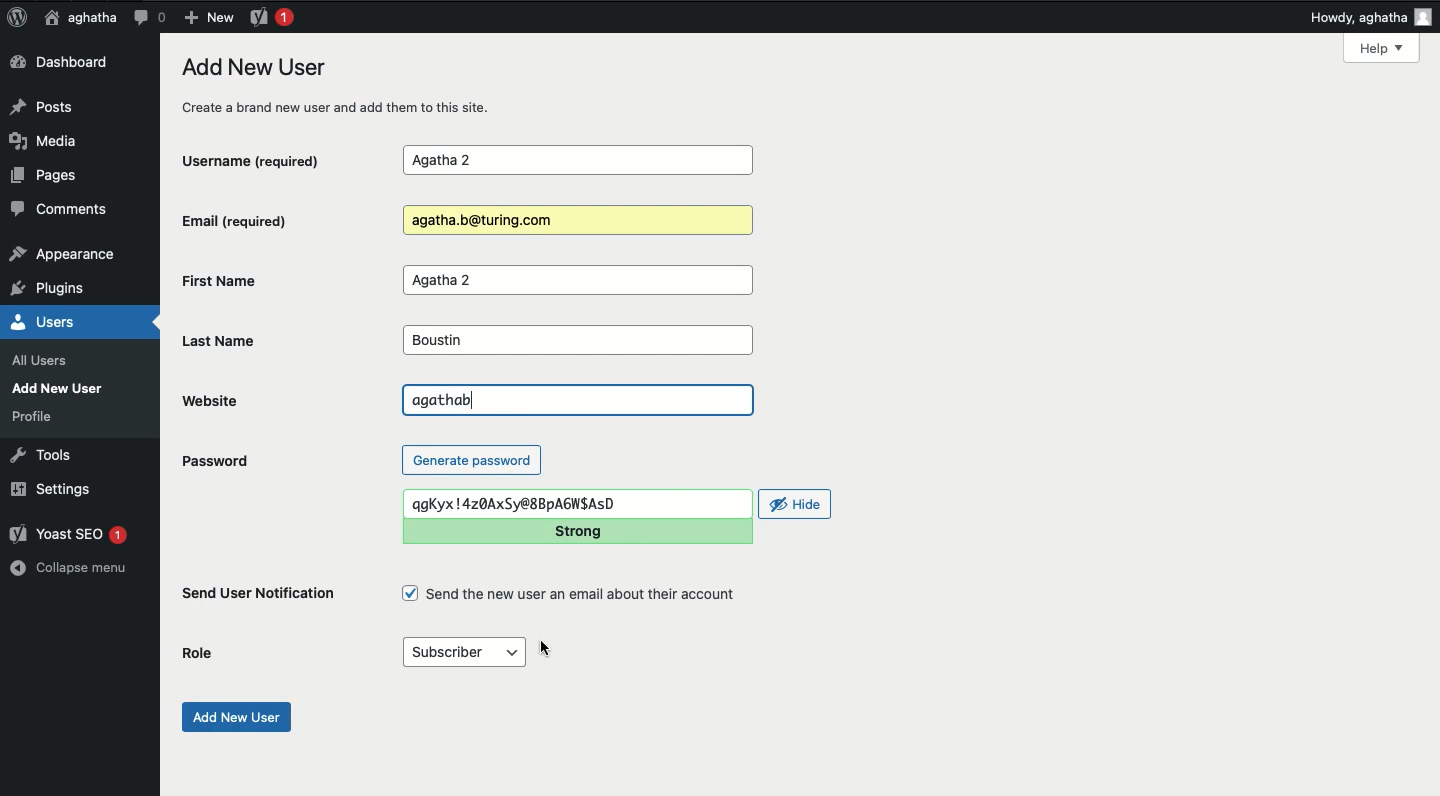 The image size is (1440, 796). Describe the element at coordinates (45, 361) in the screenshot. I see `all users` at that location.